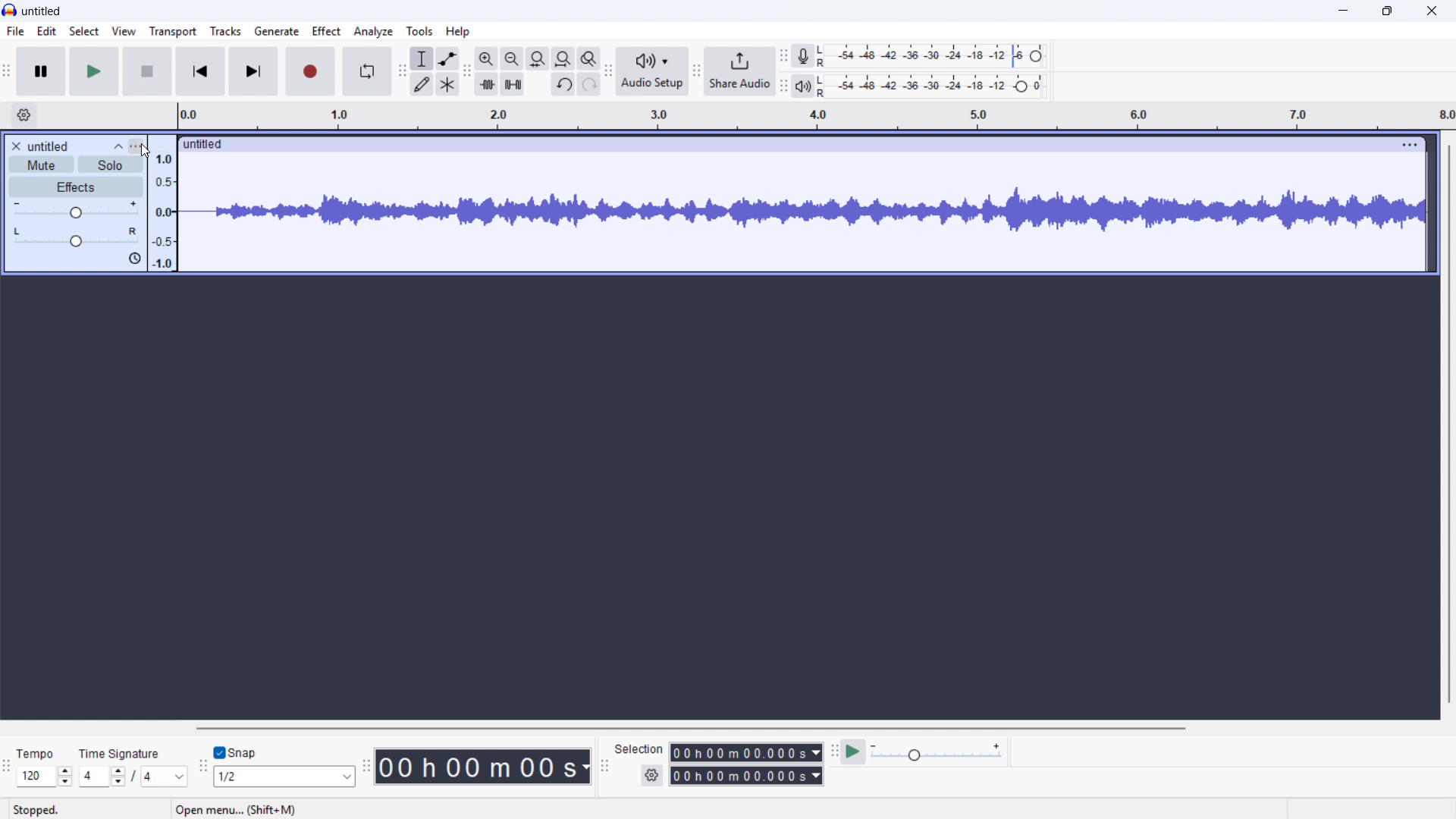  I want to click on view , so click(124, 31).